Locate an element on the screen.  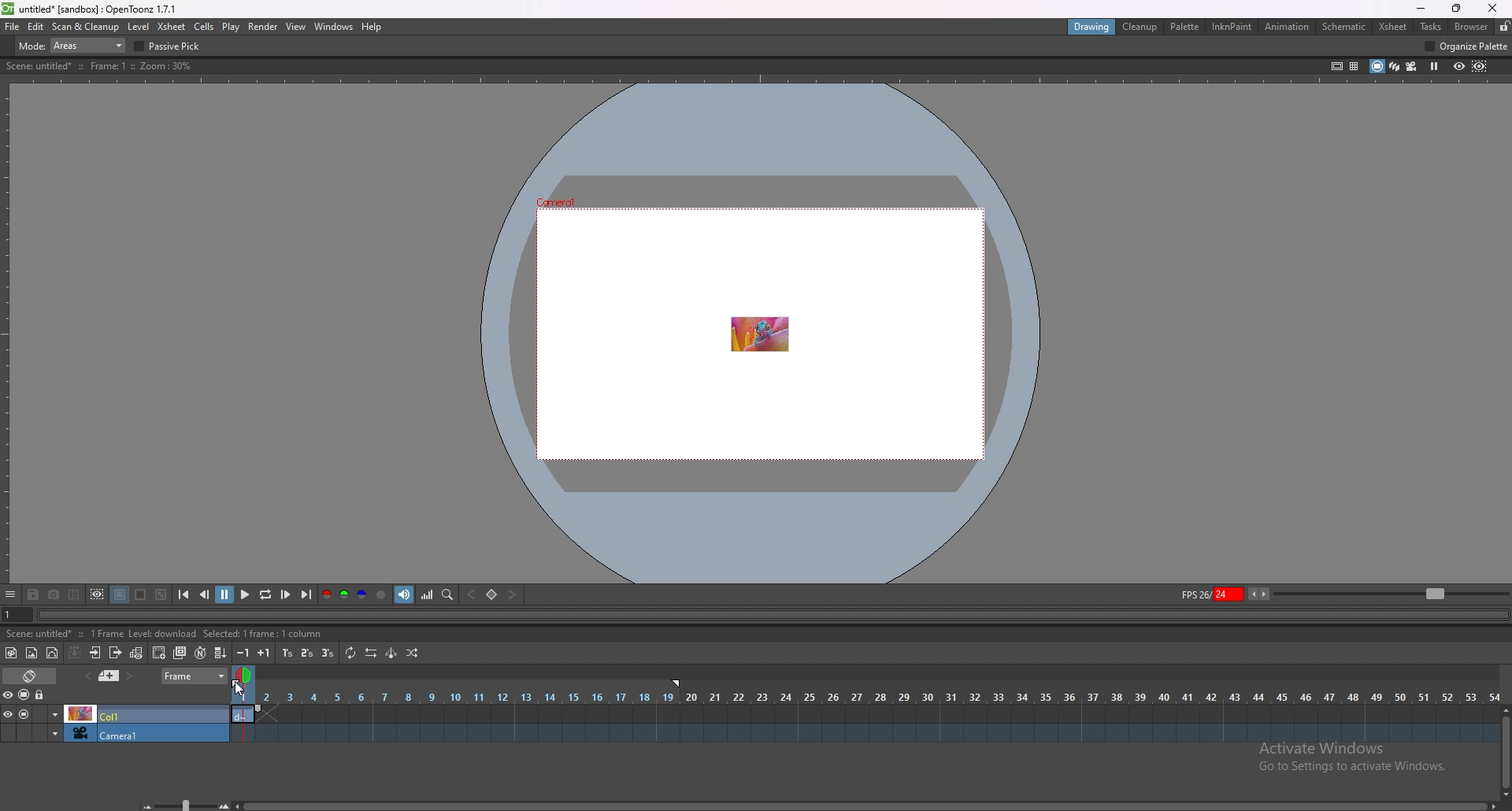
blue channel is located at coordinates (362, 594).